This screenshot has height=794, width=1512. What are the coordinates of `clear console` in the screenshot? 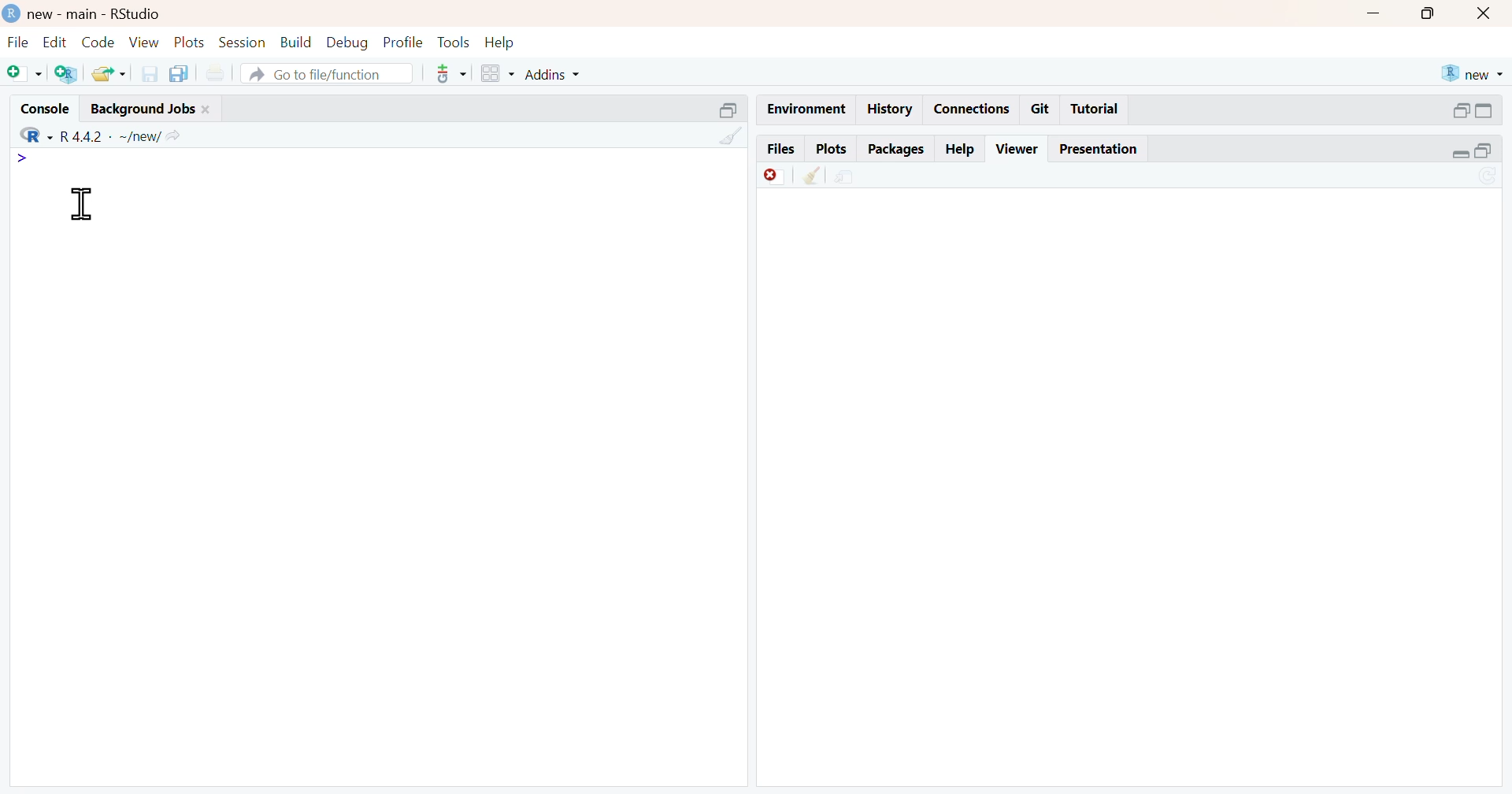 It's located at (730, 137).